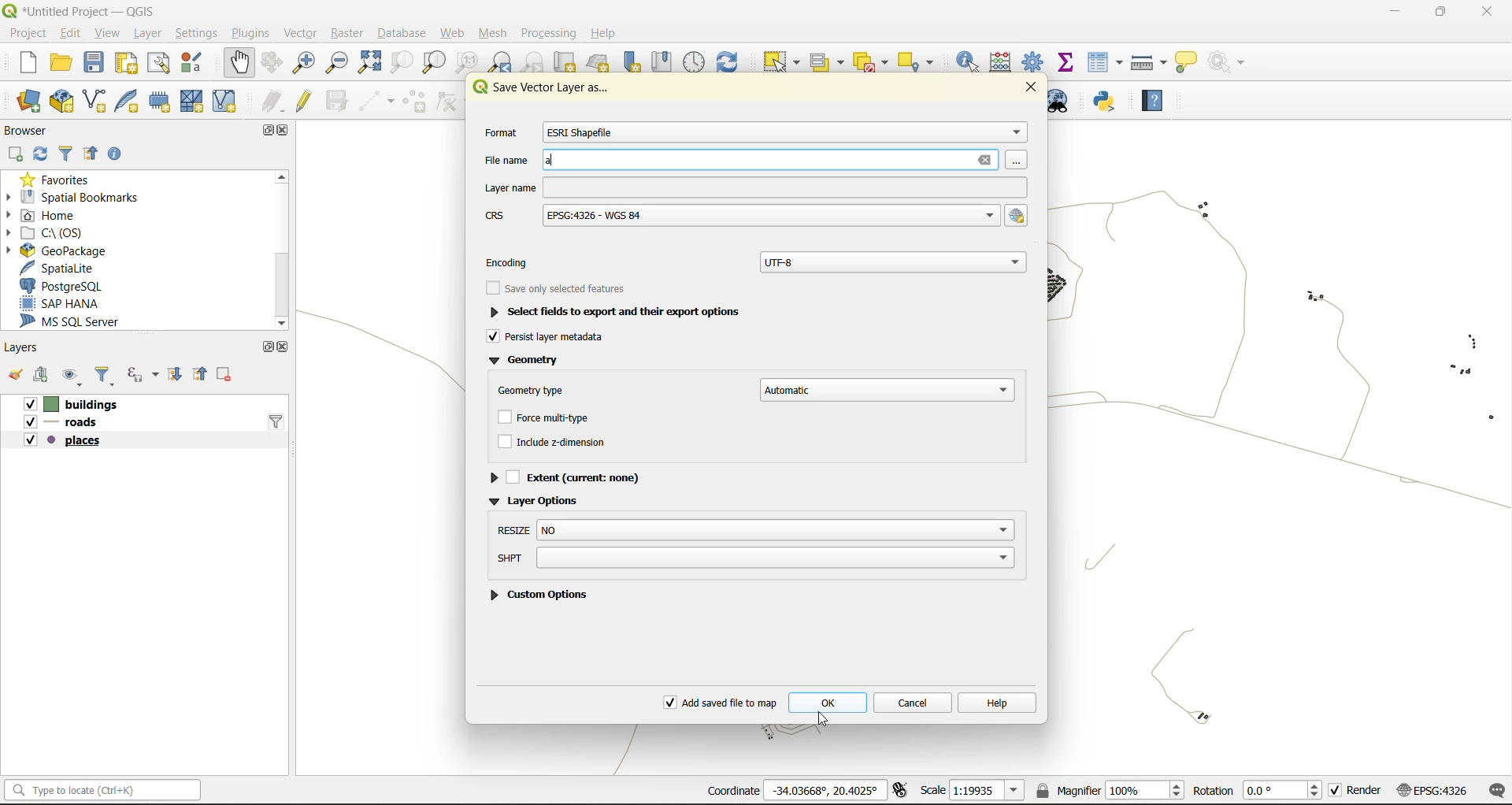 The width and height of the screenshot is (1512, 805). I want to click on expand all, so click(176, 378).